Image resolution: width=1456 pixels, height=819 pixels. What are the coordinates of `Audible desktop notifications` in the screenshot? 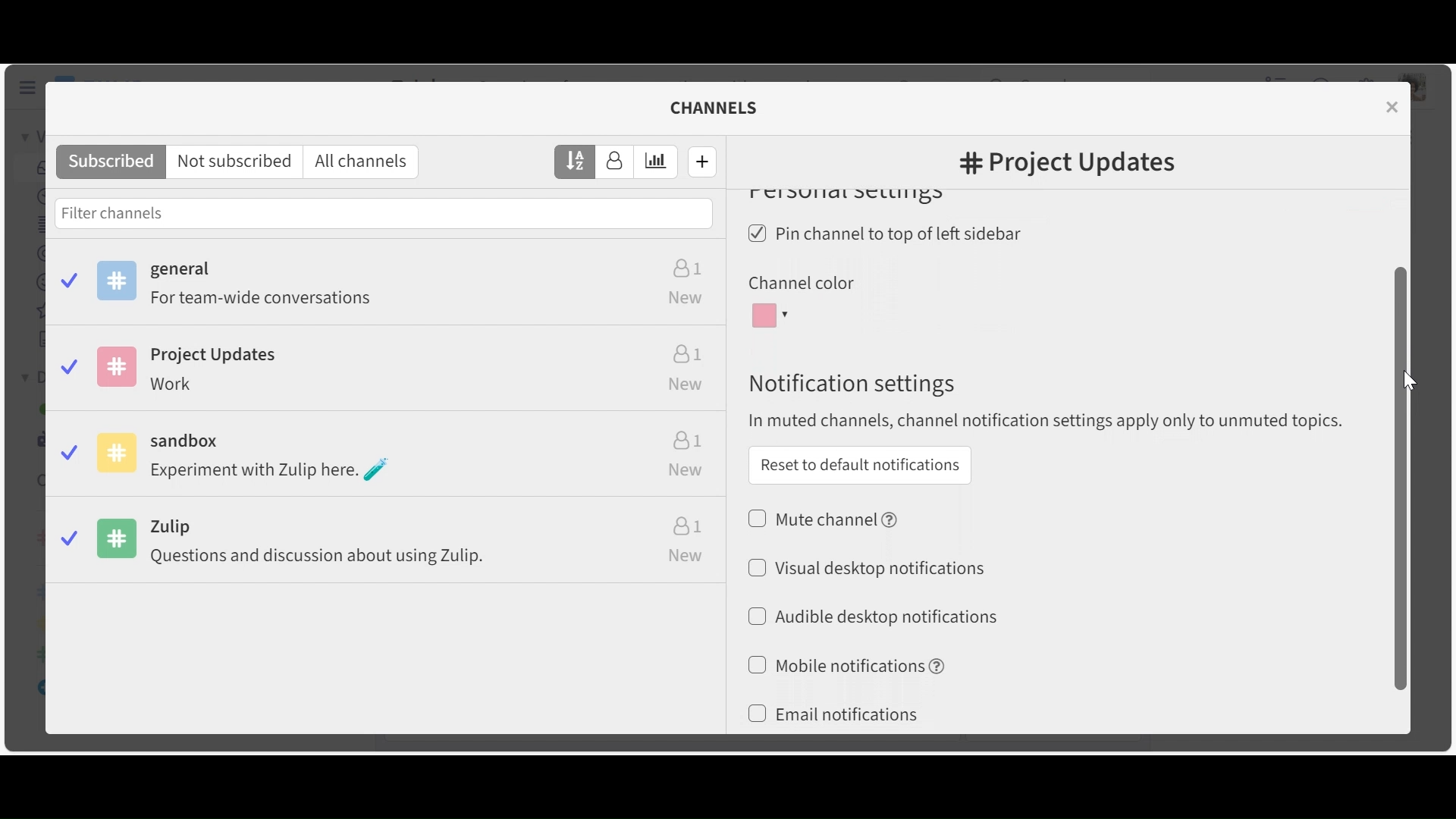 It's located at (884, 617).